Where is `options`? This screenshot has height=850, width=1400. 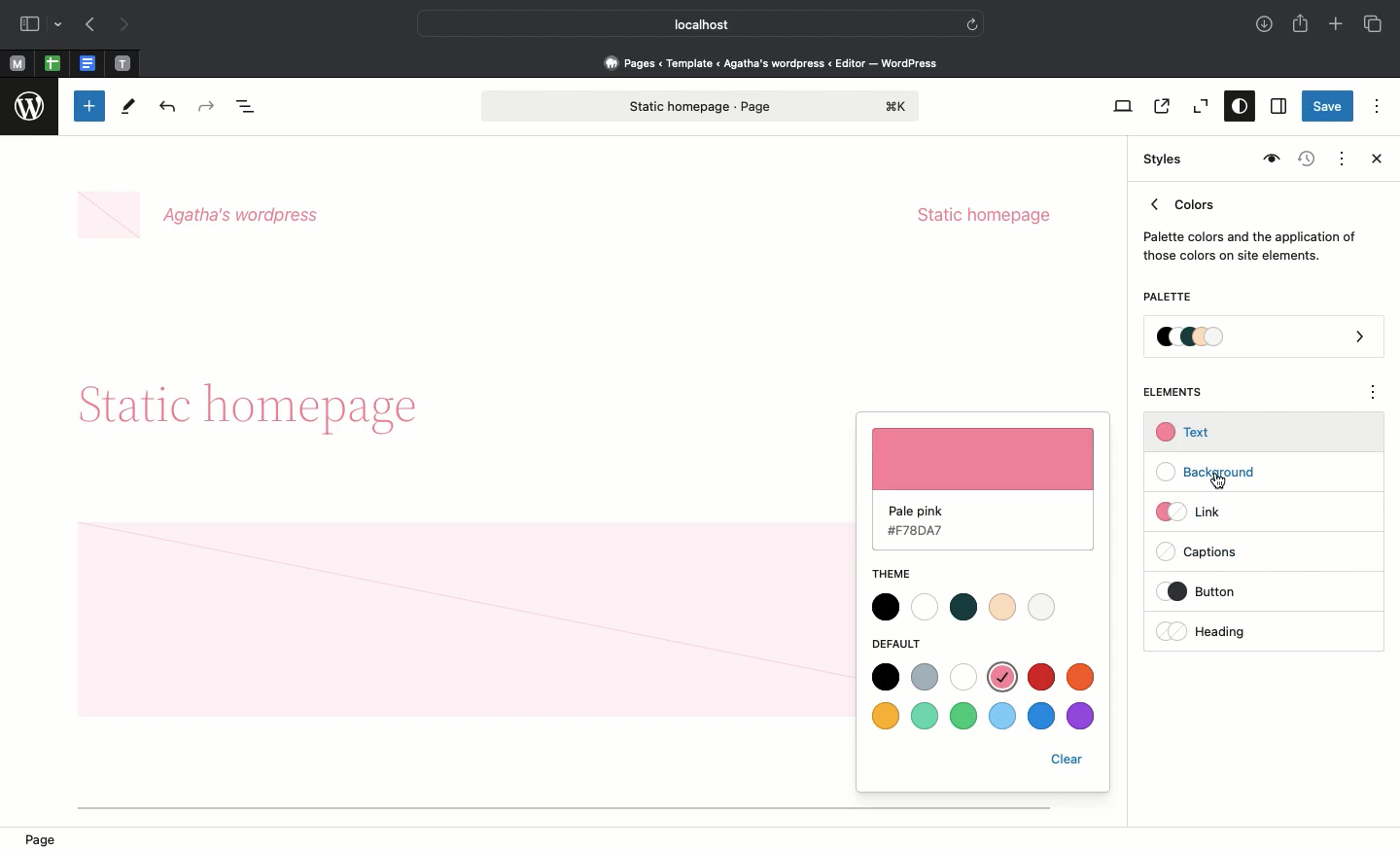 options is located at coordinates (1374, 395).